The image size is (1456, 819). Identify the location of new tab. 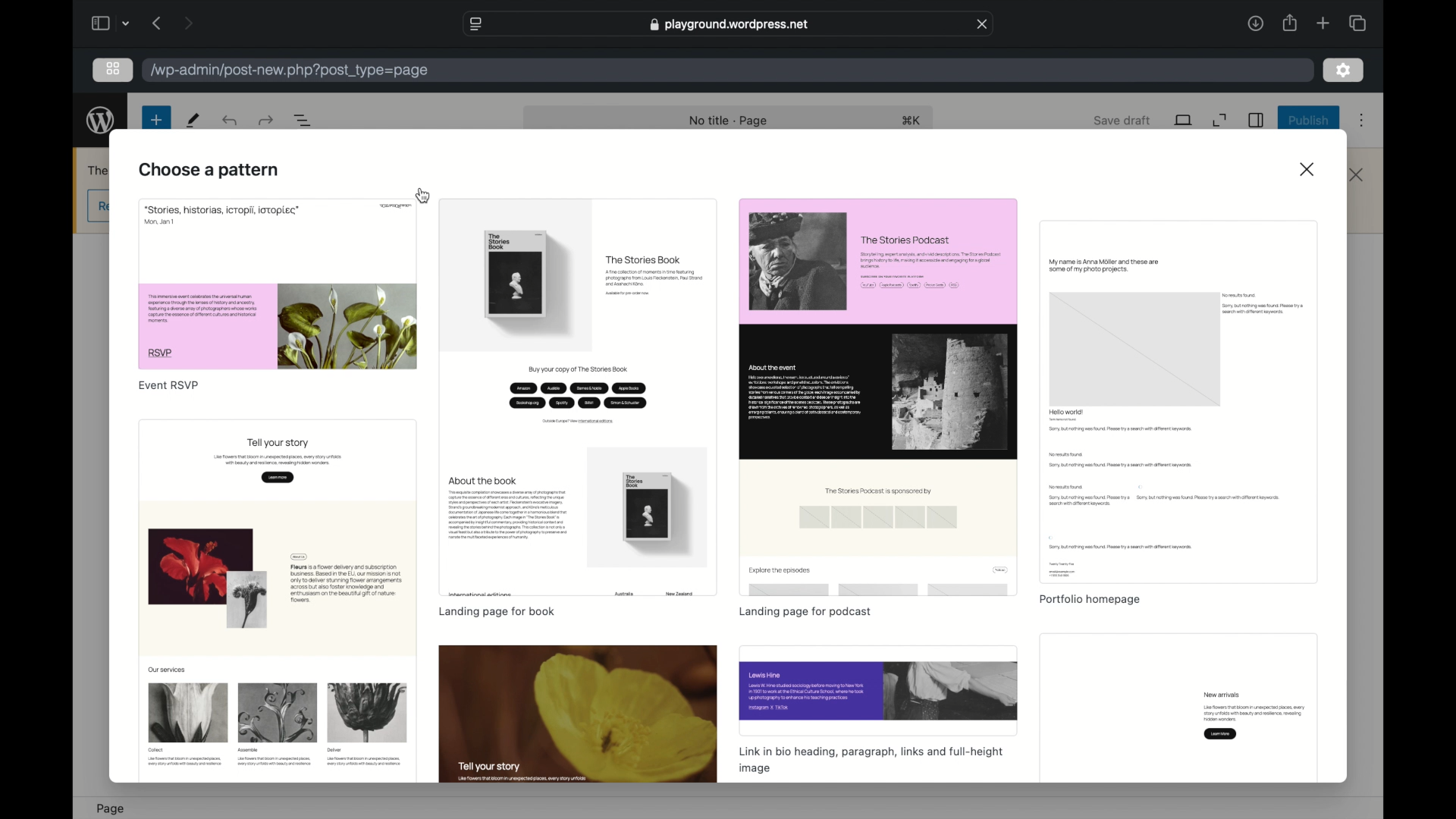
(1323, 23).